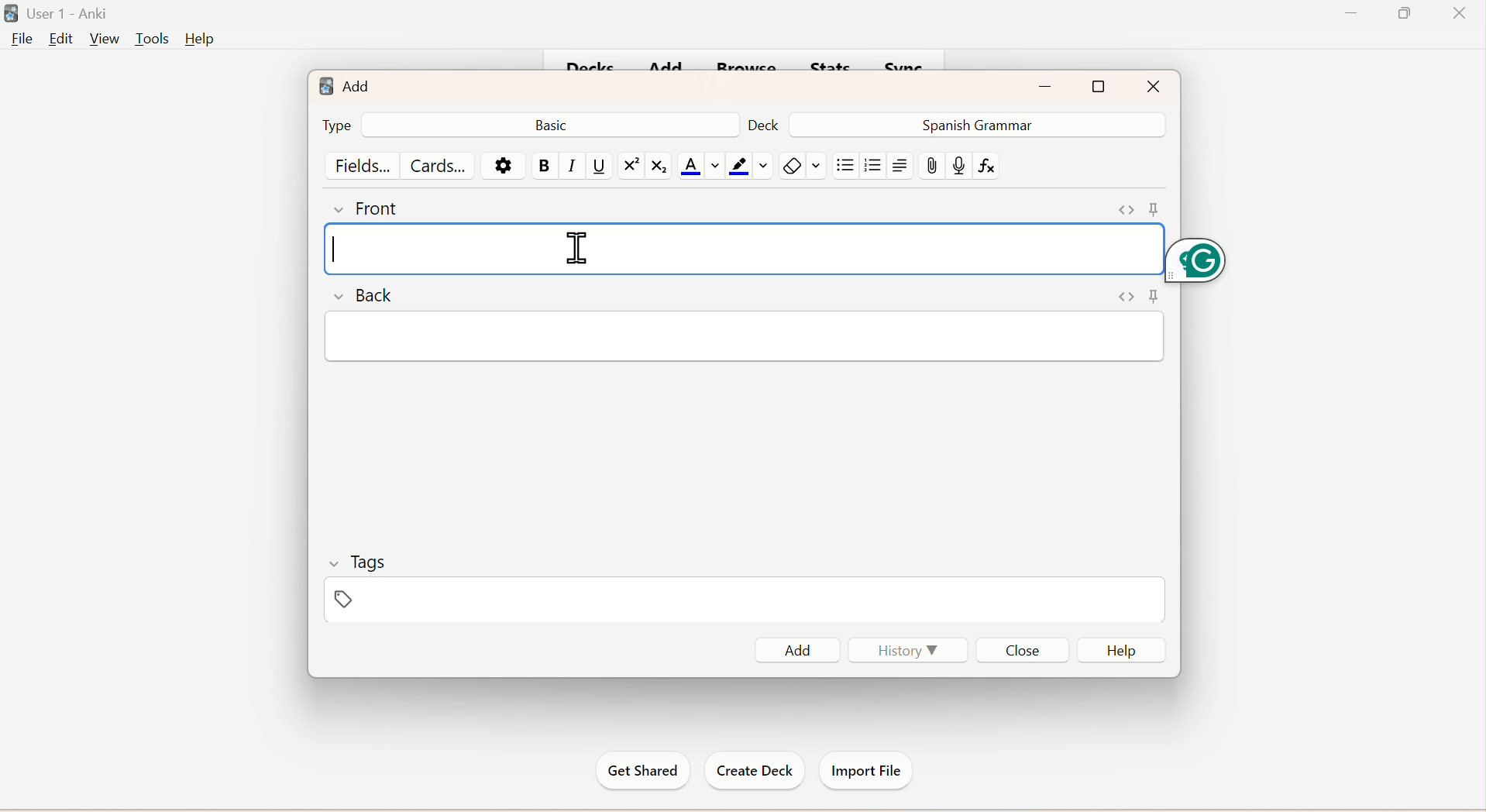  I want to click on Unorgganised List, so click(845, 166).